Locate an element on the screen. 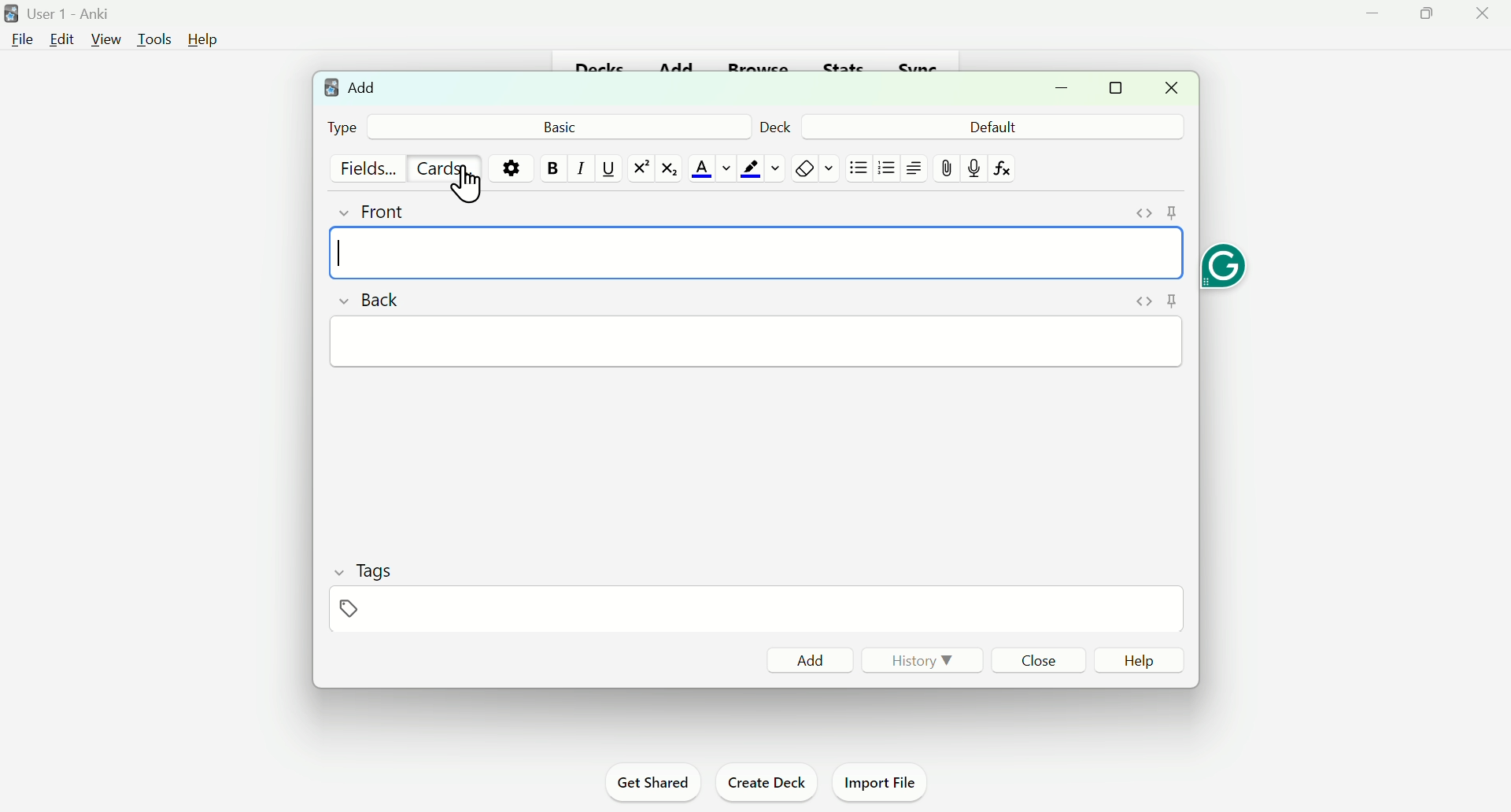 Image resolution: width=1511 pixels, height=812 pixels. Close is located at coordinates (1481, 12).